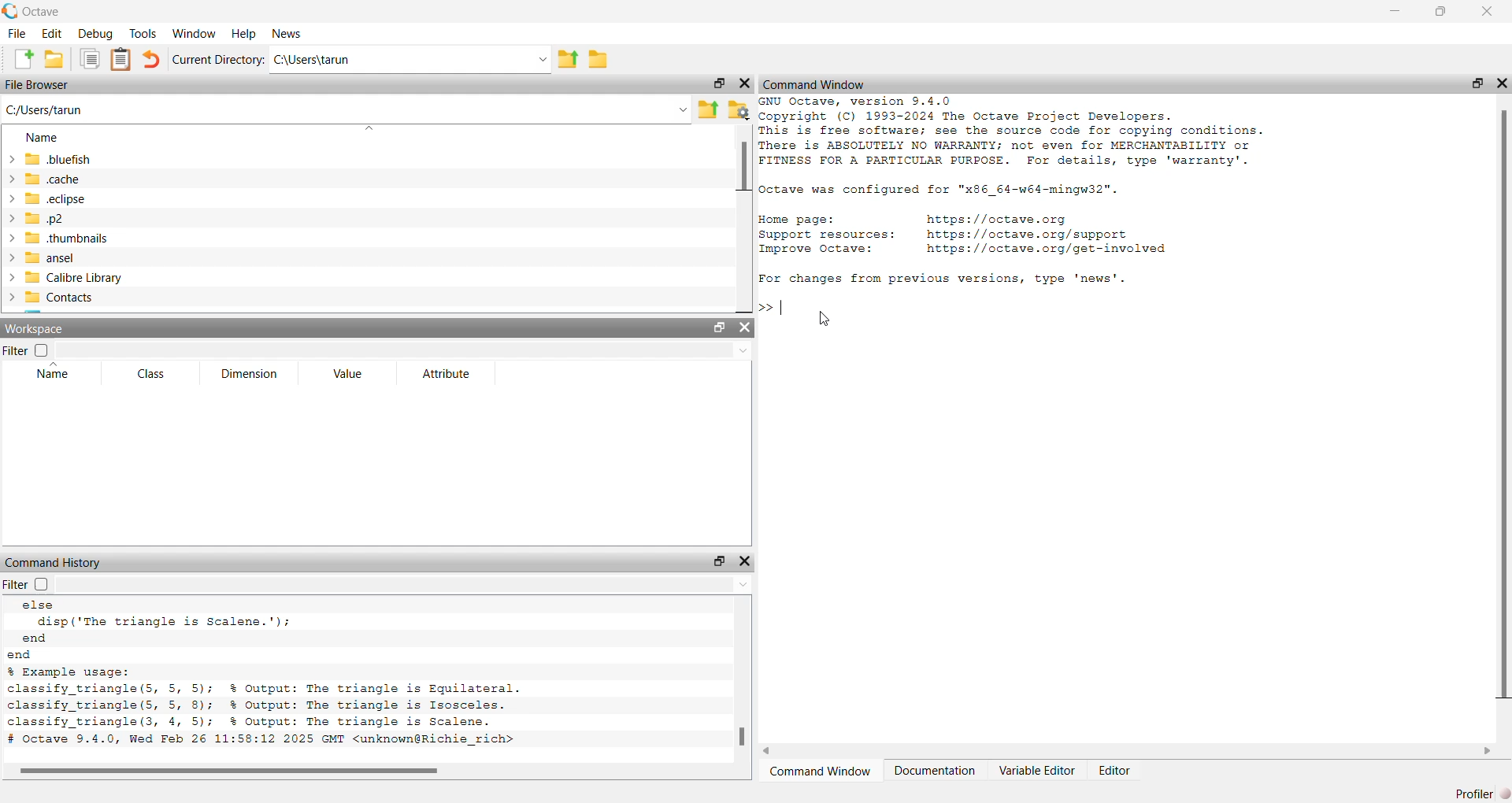 This screenshot has width=1512, height=803. Describe the element at coordinates (963, 237) in the screenshot. I see `details of octave resources` at that location.